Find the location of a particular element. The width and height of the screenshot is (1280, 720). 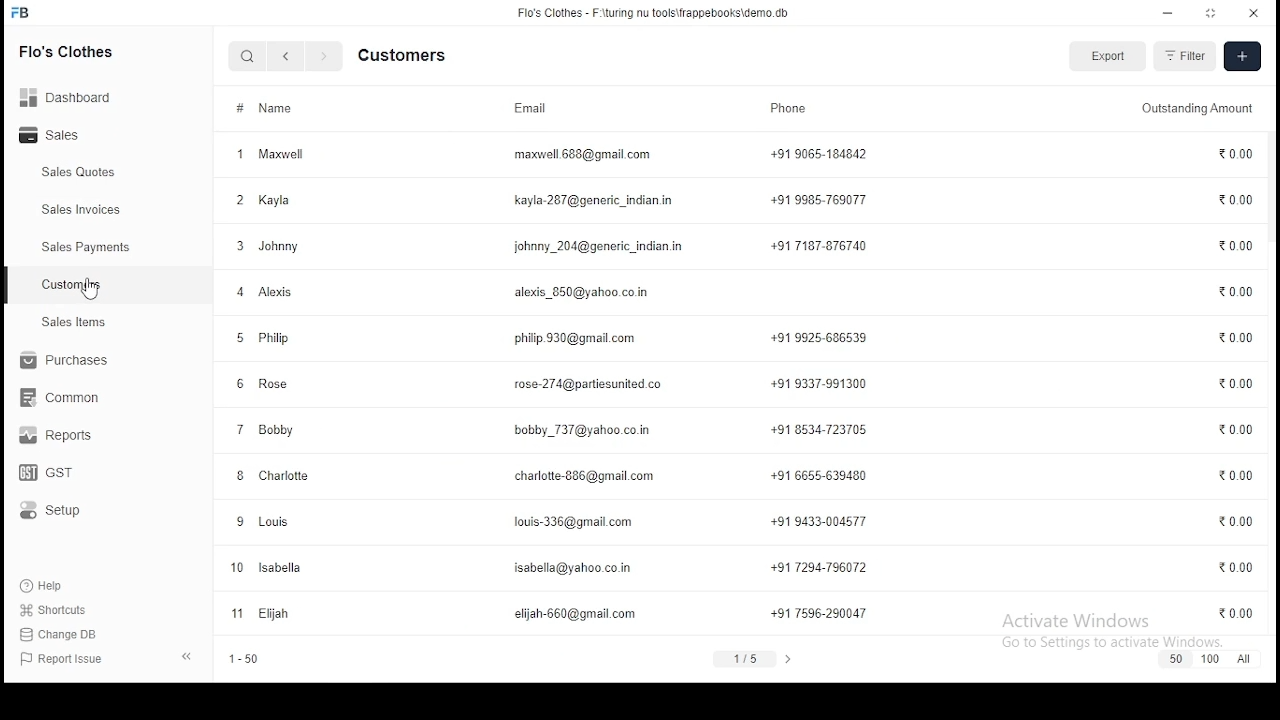

email is located at coordinates (531, 108).